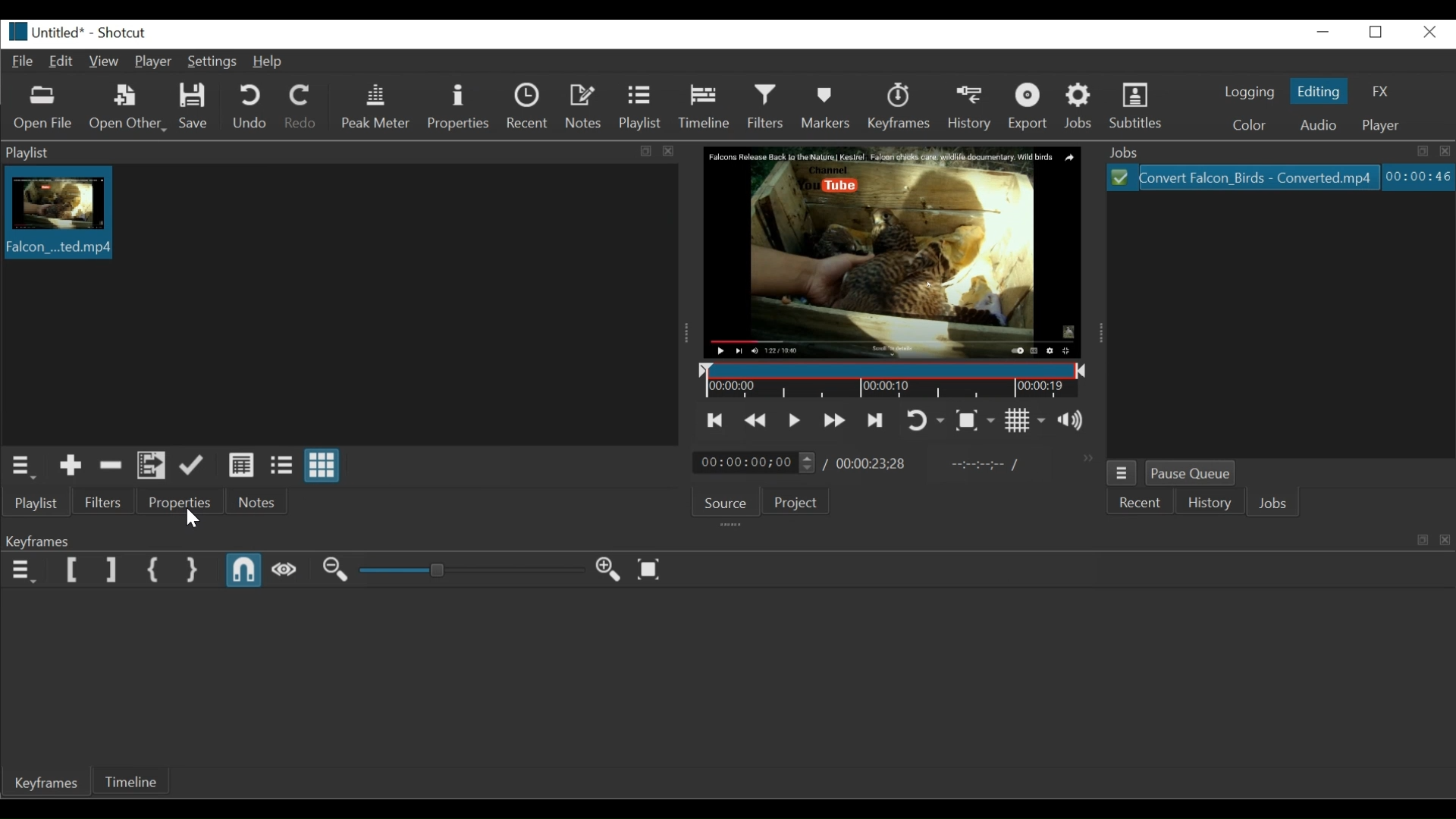 The height and width of the screenshot is (819, 1456). What do you see at coordinates (256, 502) in the screenshot?
I see `Notes` at bounding box center [256, 502].